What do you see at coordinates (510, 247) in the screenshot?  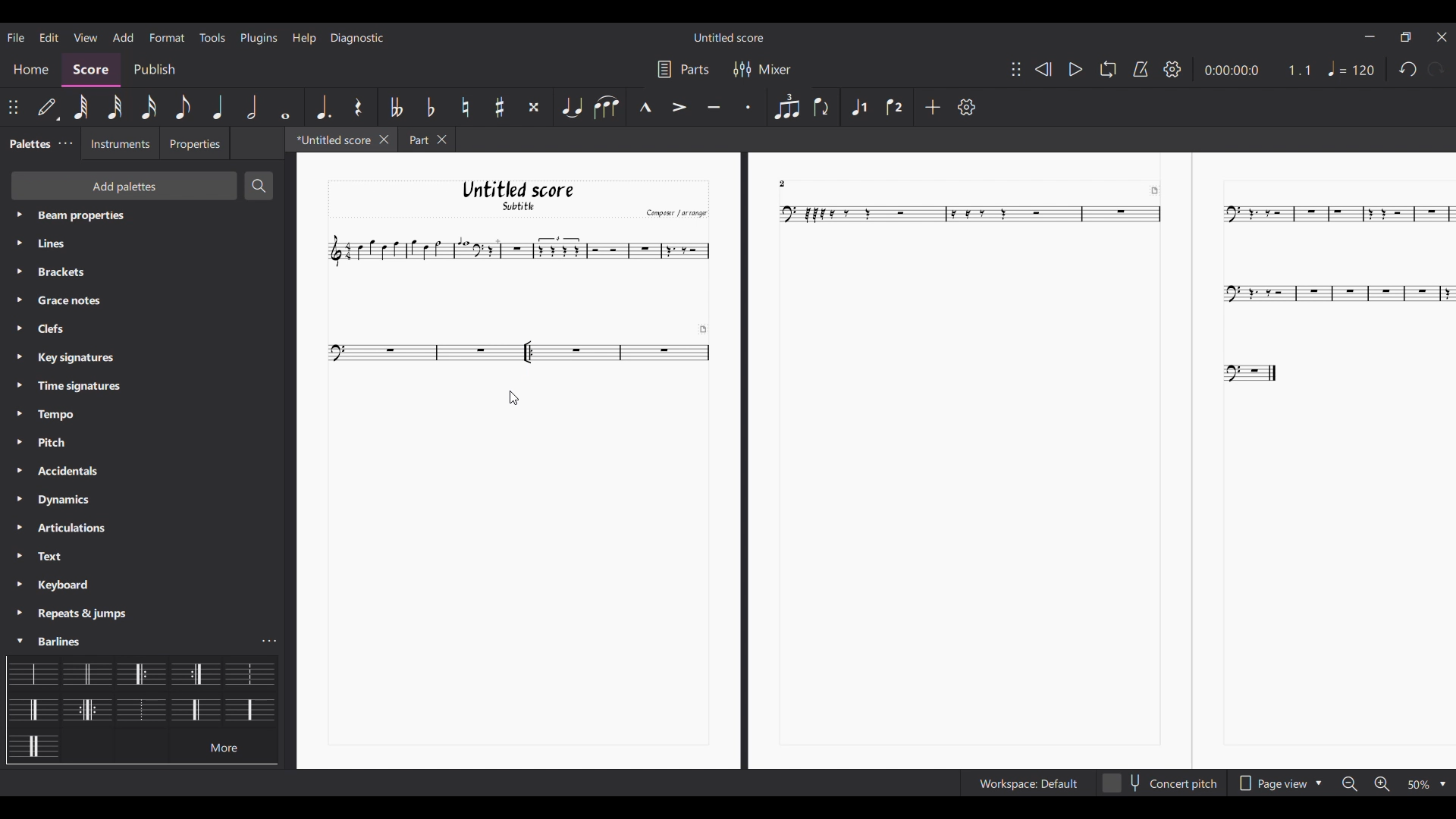 I see `current scroe` at bounding box center [510, 247].